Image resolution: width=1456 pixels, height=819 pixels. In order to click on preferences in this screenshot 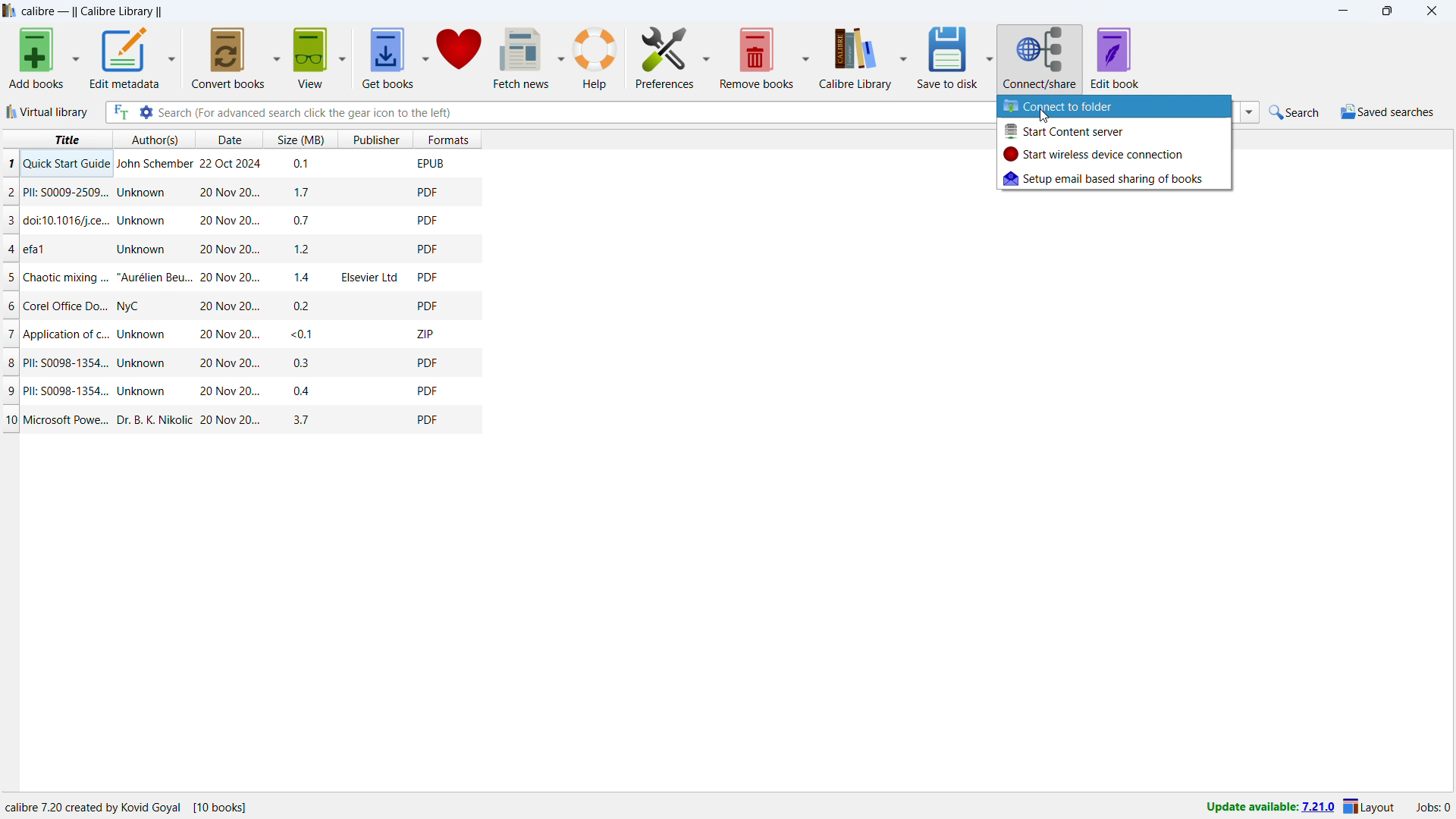, I will do `click(665, 57)`.